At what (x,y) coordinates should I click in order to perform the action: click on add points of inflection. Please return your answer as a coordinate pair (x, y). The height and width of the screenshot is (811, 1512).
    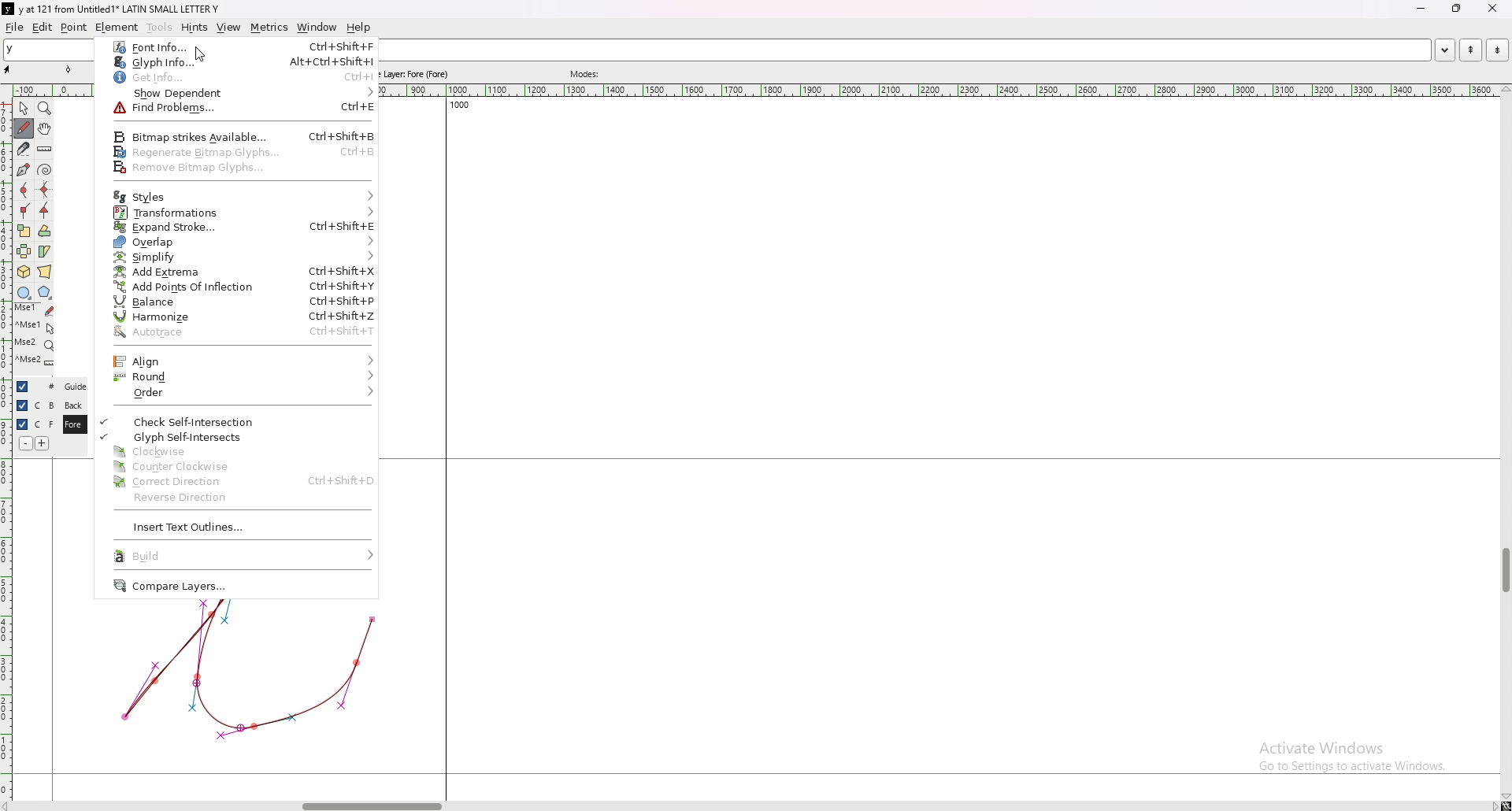
    Looking at the image, I should click on (238, 285).